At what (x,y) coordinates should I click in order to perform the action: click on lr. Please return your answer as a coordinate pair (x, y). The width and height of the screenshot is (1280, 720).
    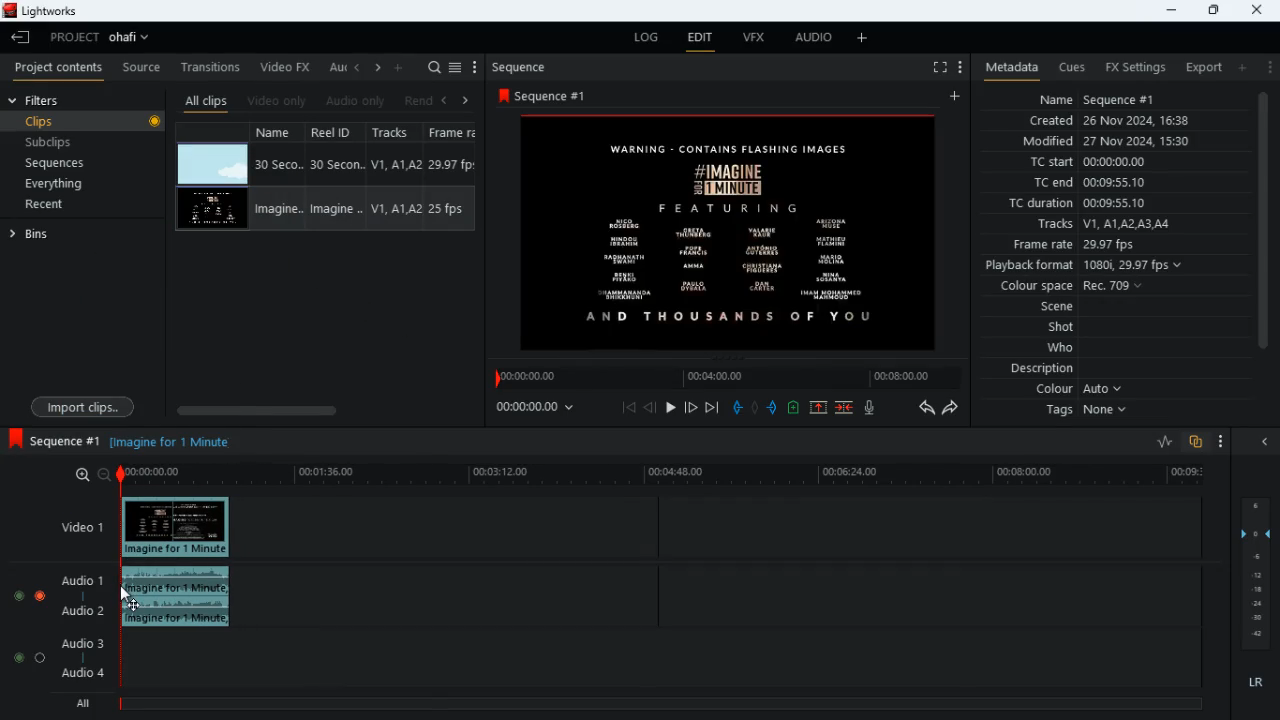
    Looking at the image, I should click on (1258, 685).